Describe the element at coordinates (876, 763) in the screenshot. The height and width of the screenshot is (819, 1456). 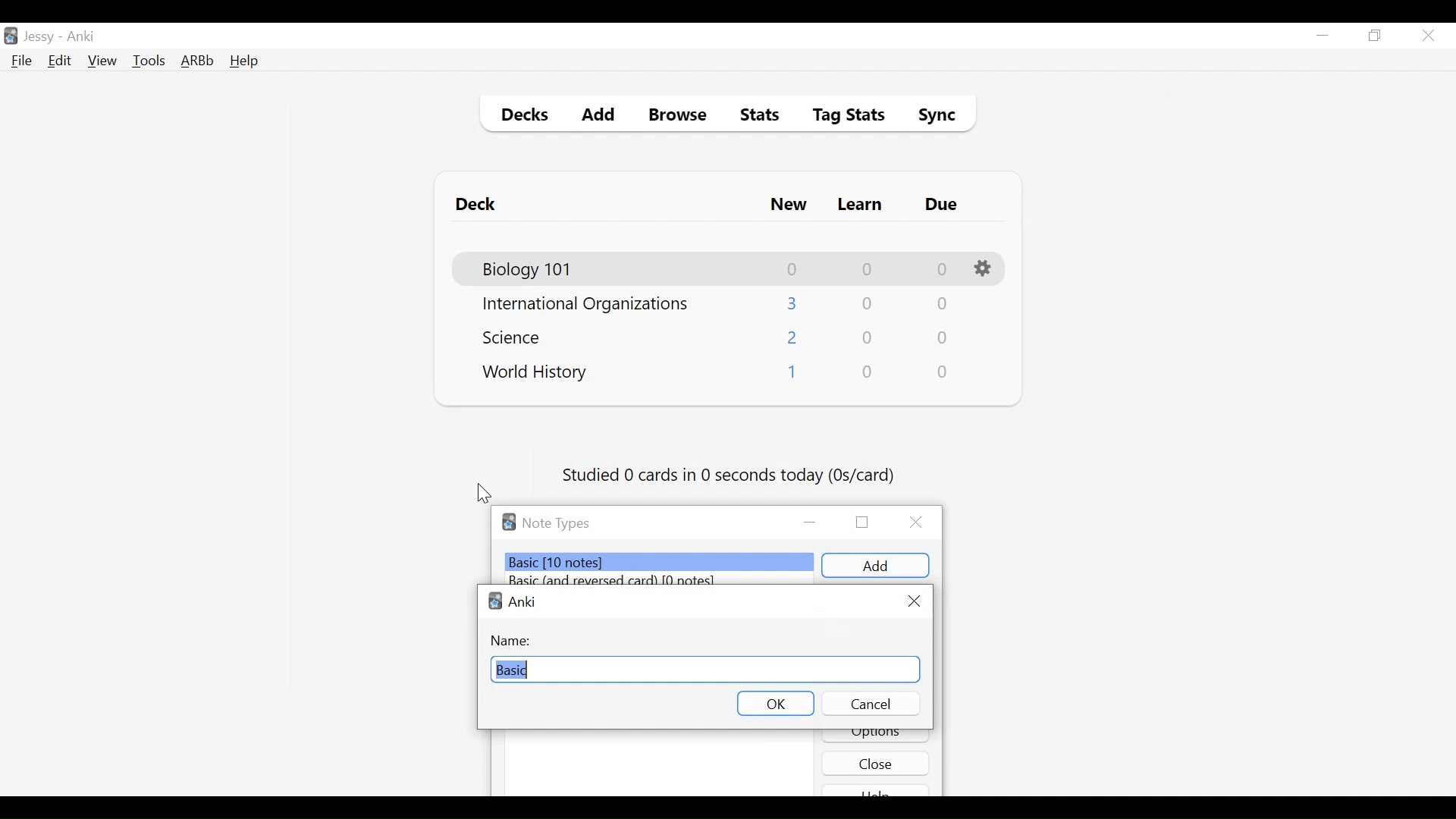
I see `Close` at that location.